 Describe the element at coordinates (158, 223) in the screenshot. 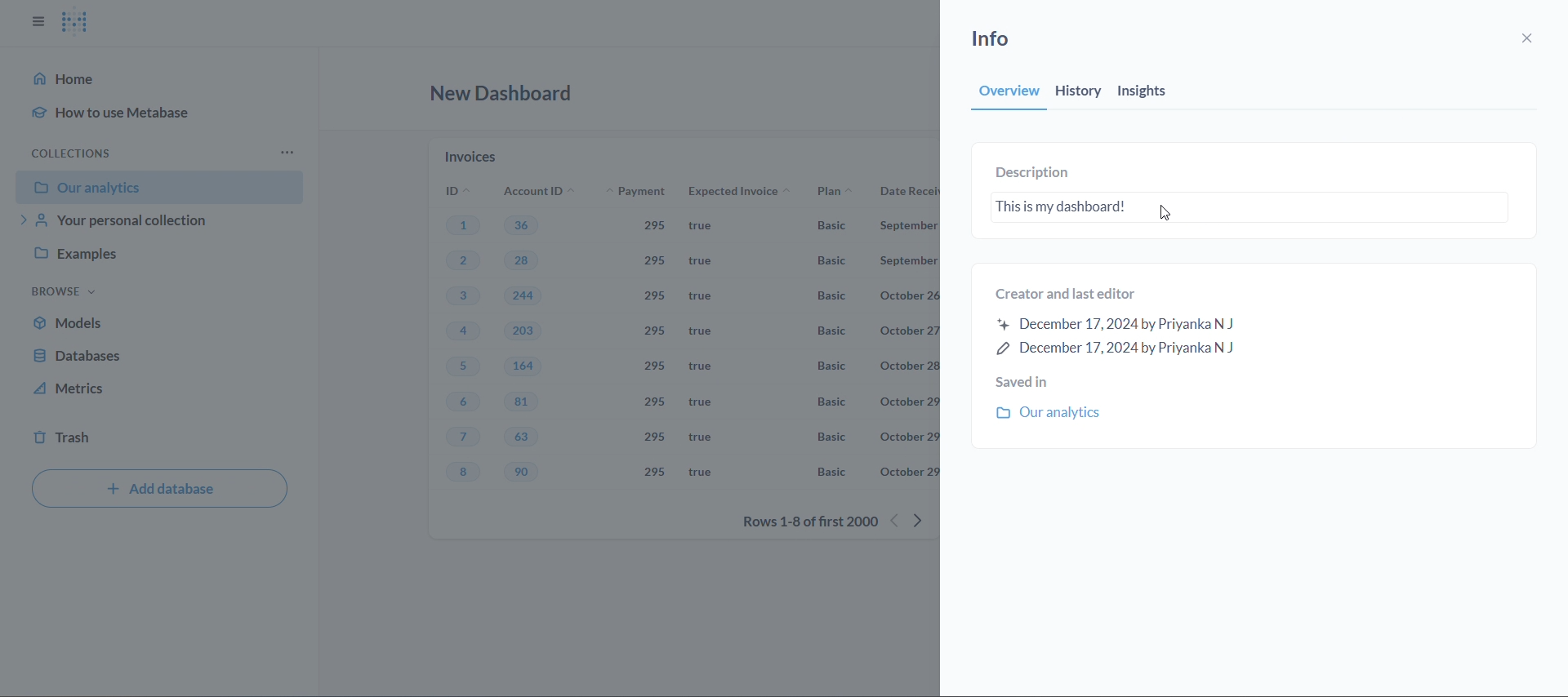

I see `your personal collection` at that location.